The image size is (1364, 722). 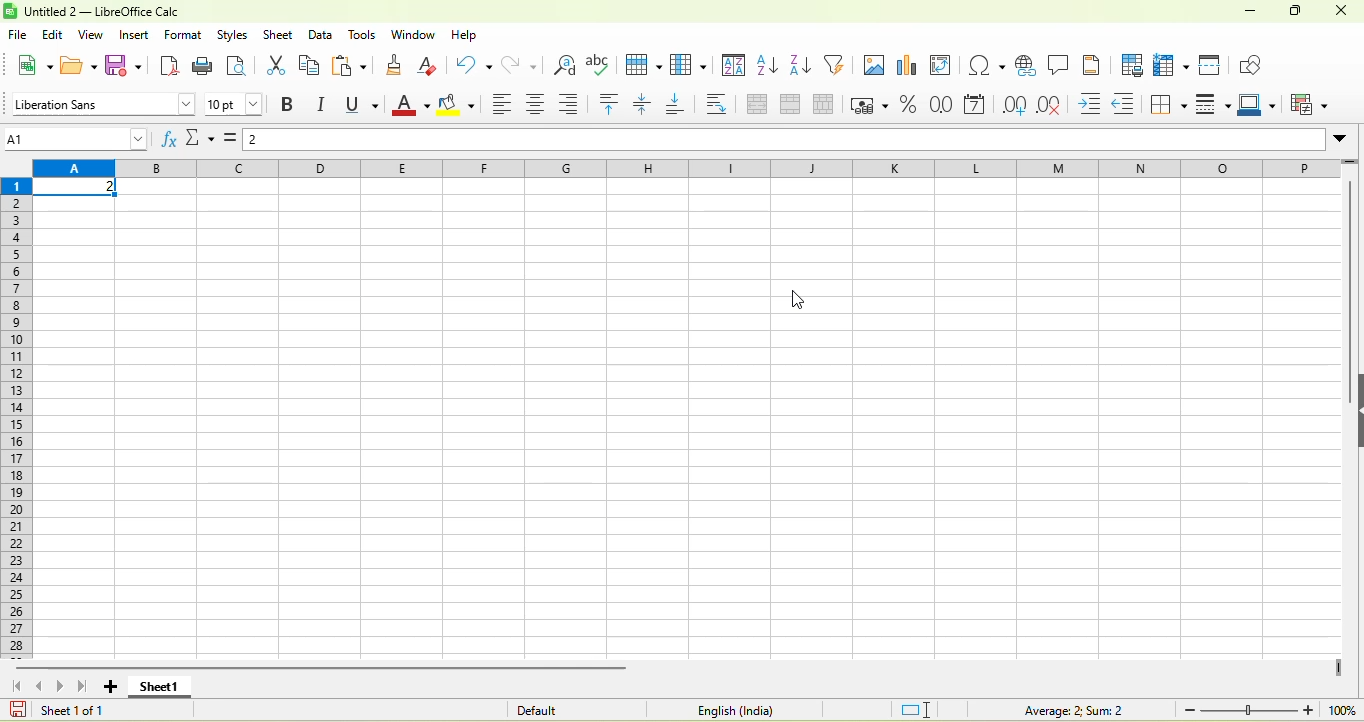 I want to click on copy, so click(x=312, y=65).